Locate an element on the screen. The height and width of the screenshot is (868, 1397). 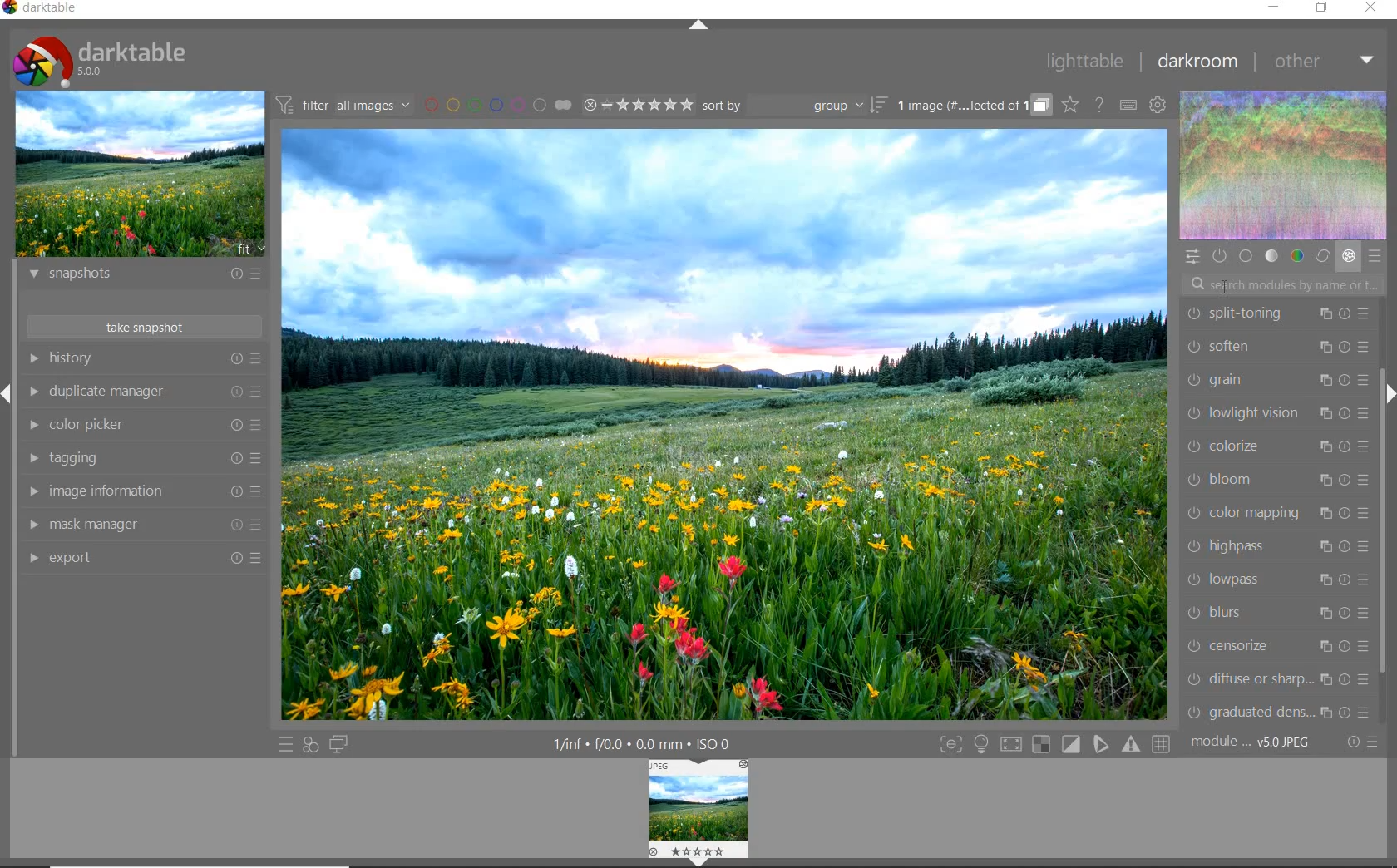
color mapping is located at coordinates (1275, 512).